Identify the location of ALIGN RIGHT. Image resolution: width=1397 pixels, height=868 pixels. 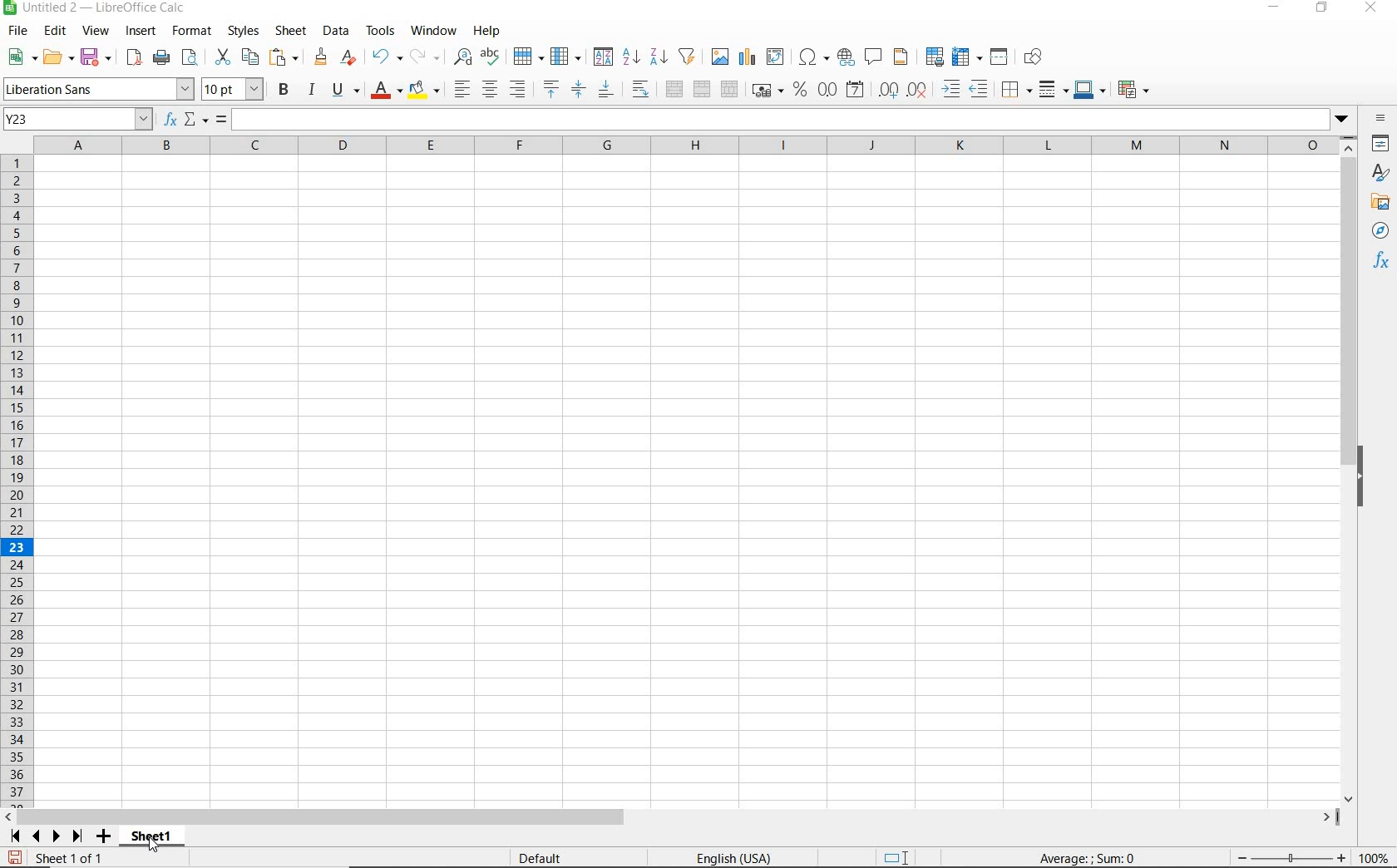
(517, 90).